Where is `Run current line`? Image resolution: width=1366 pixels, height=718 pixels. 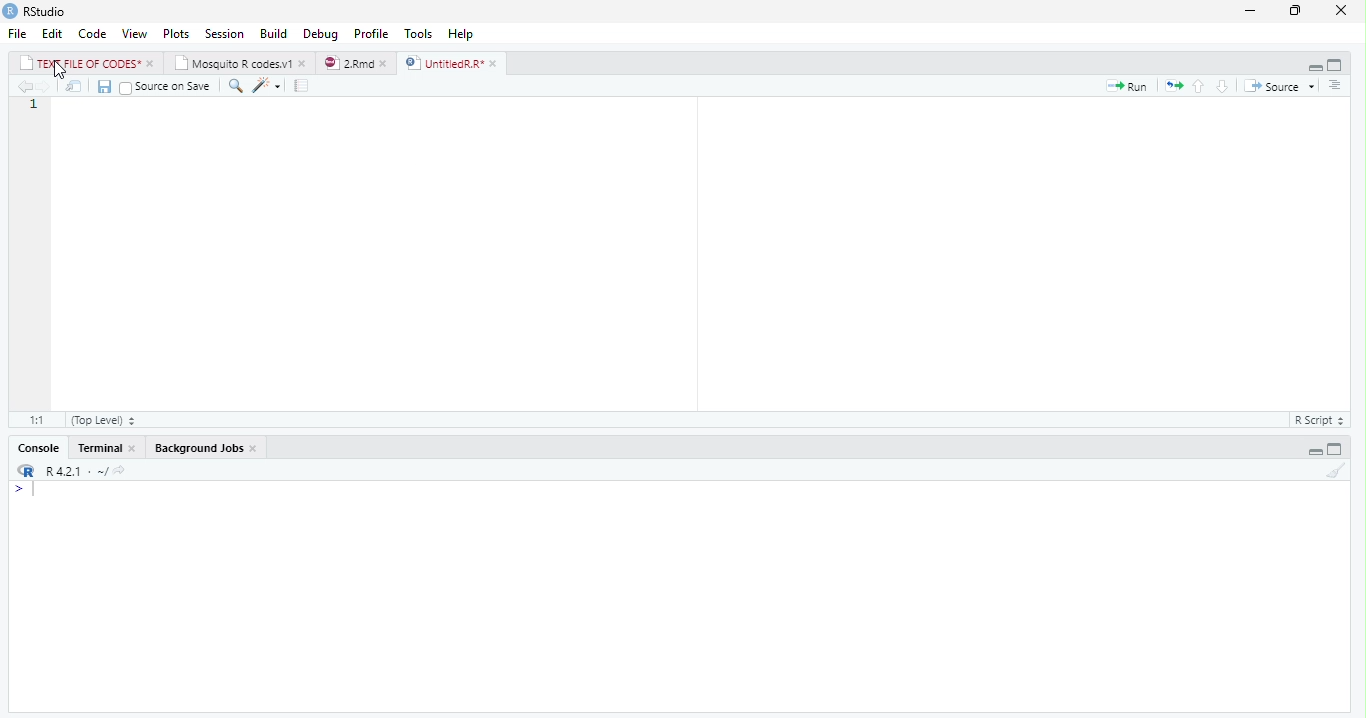
Run current line is located at coordinates (1123, 85).